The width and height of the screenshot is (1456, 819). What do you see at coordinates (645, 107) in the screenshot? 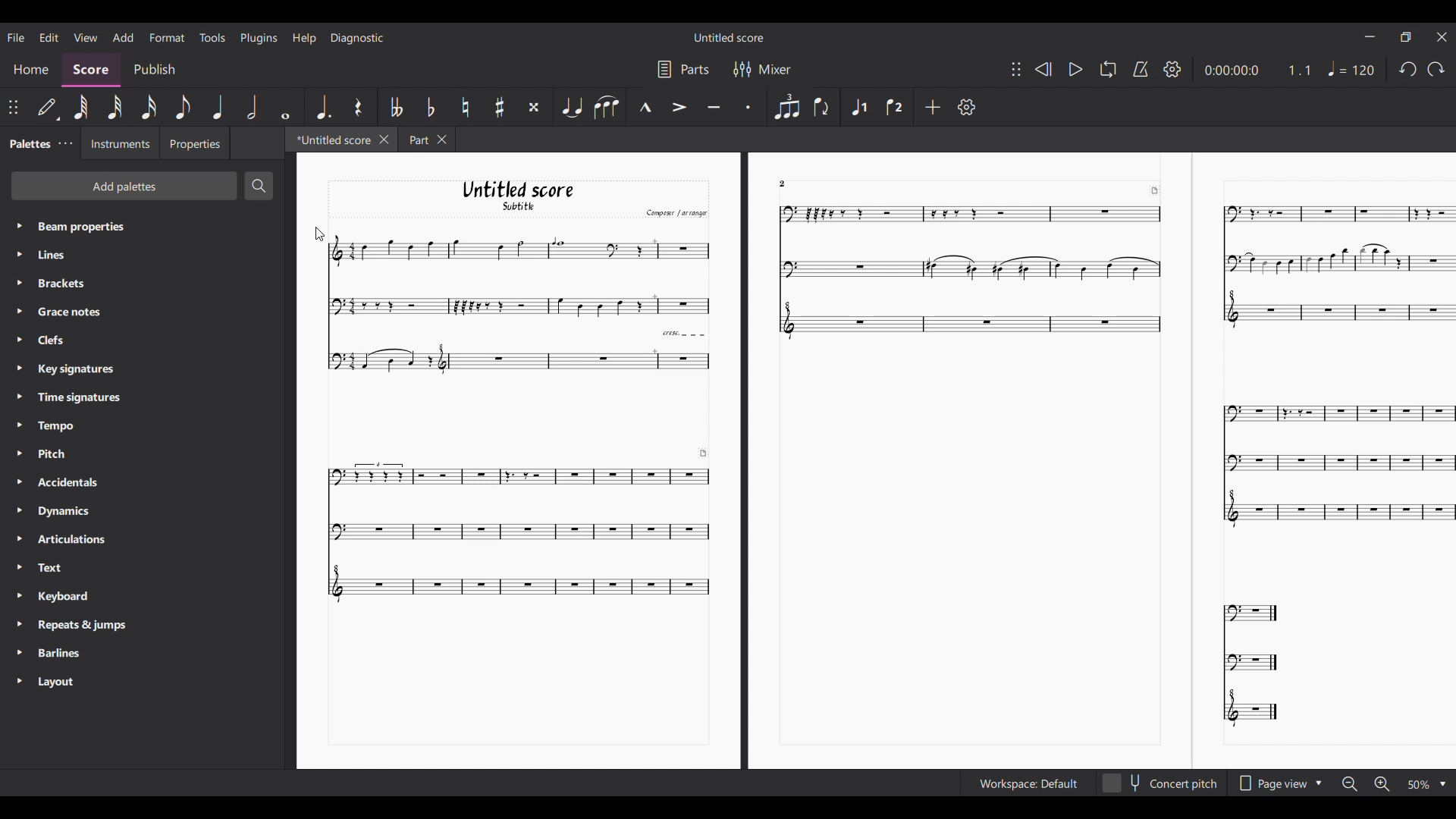
I see `Marcato` at bounding box center [645, 107].